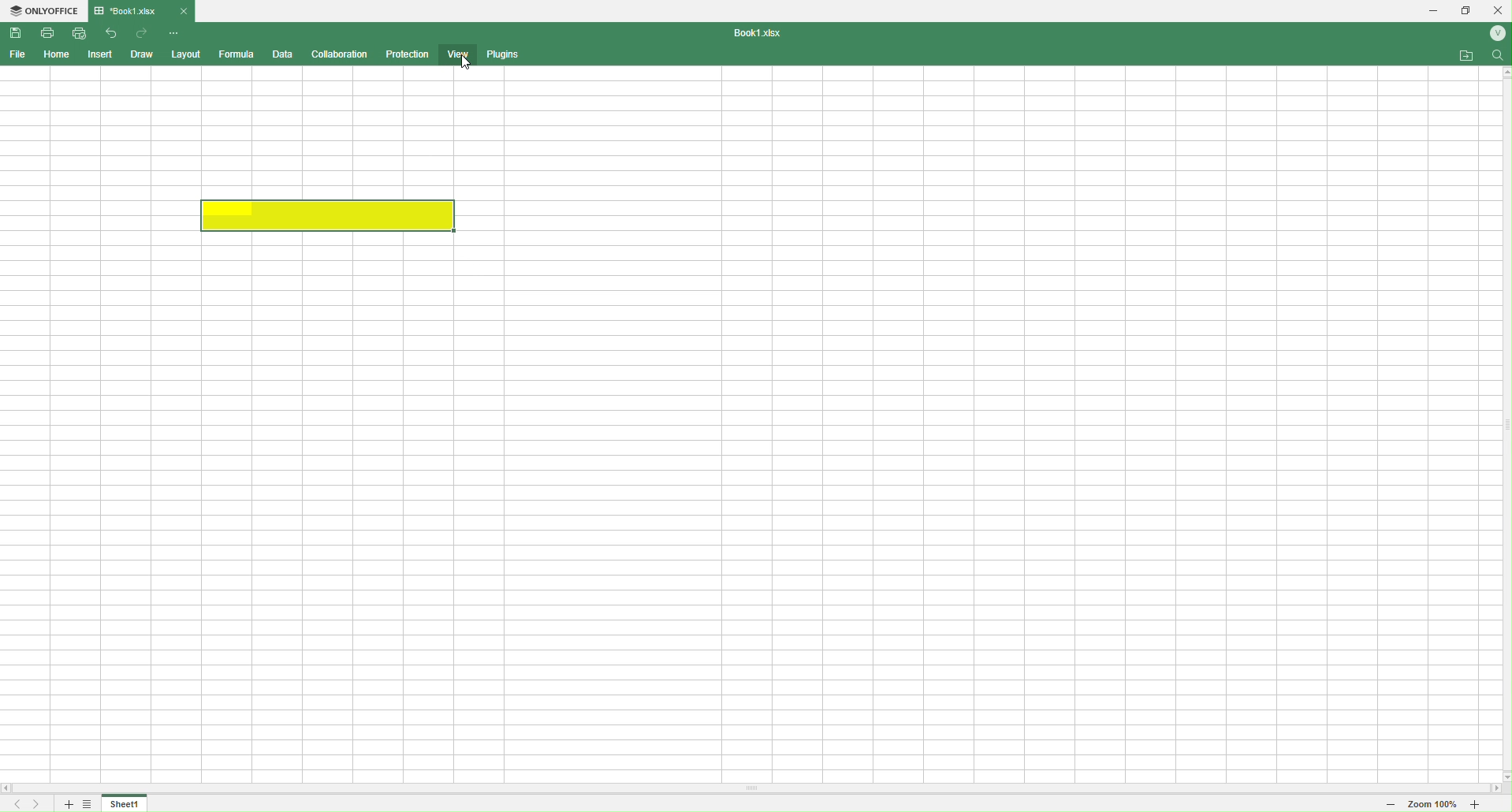 The image size is (1512, 812). What do you see at coordinates (1428, 11) in the screenshot?
I see `Minimize` at bounding box center [1428, 11].